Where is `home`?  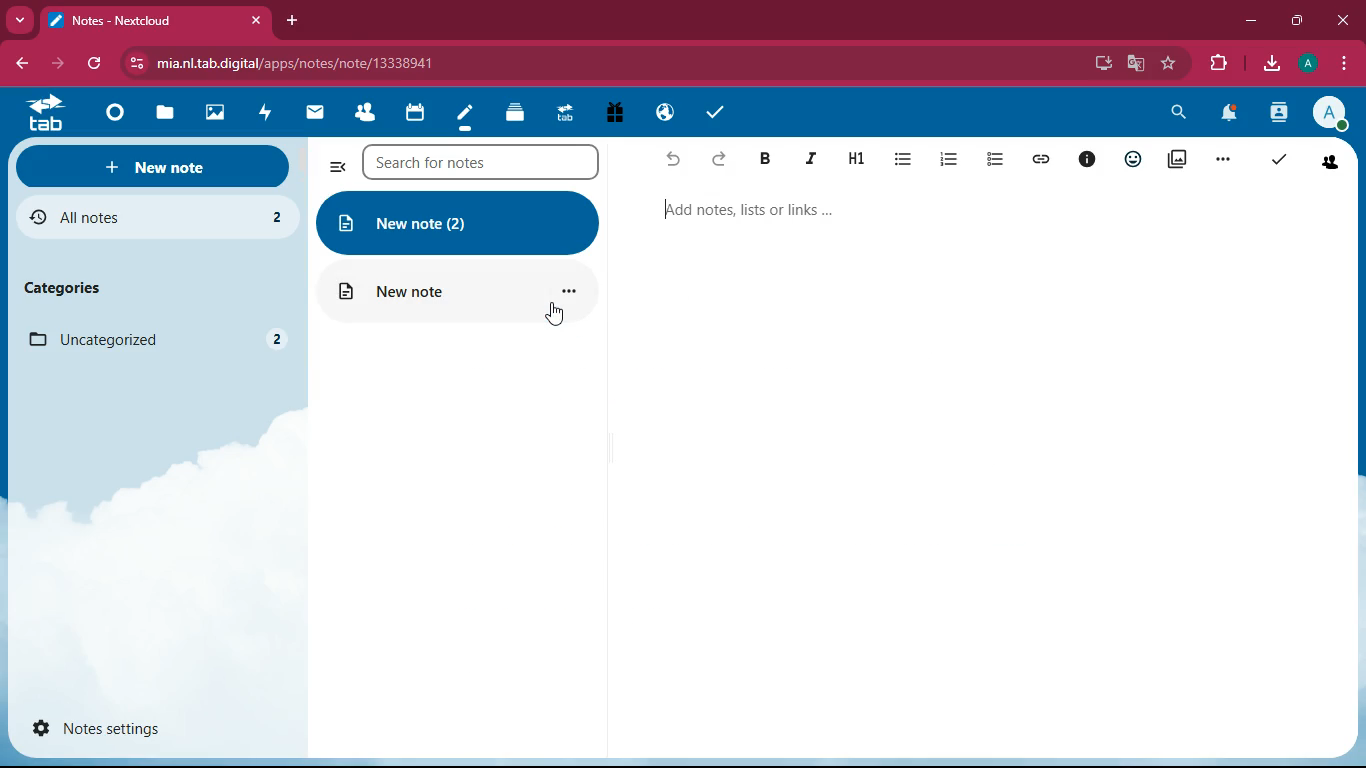 home is located at coordinates (118, 109).